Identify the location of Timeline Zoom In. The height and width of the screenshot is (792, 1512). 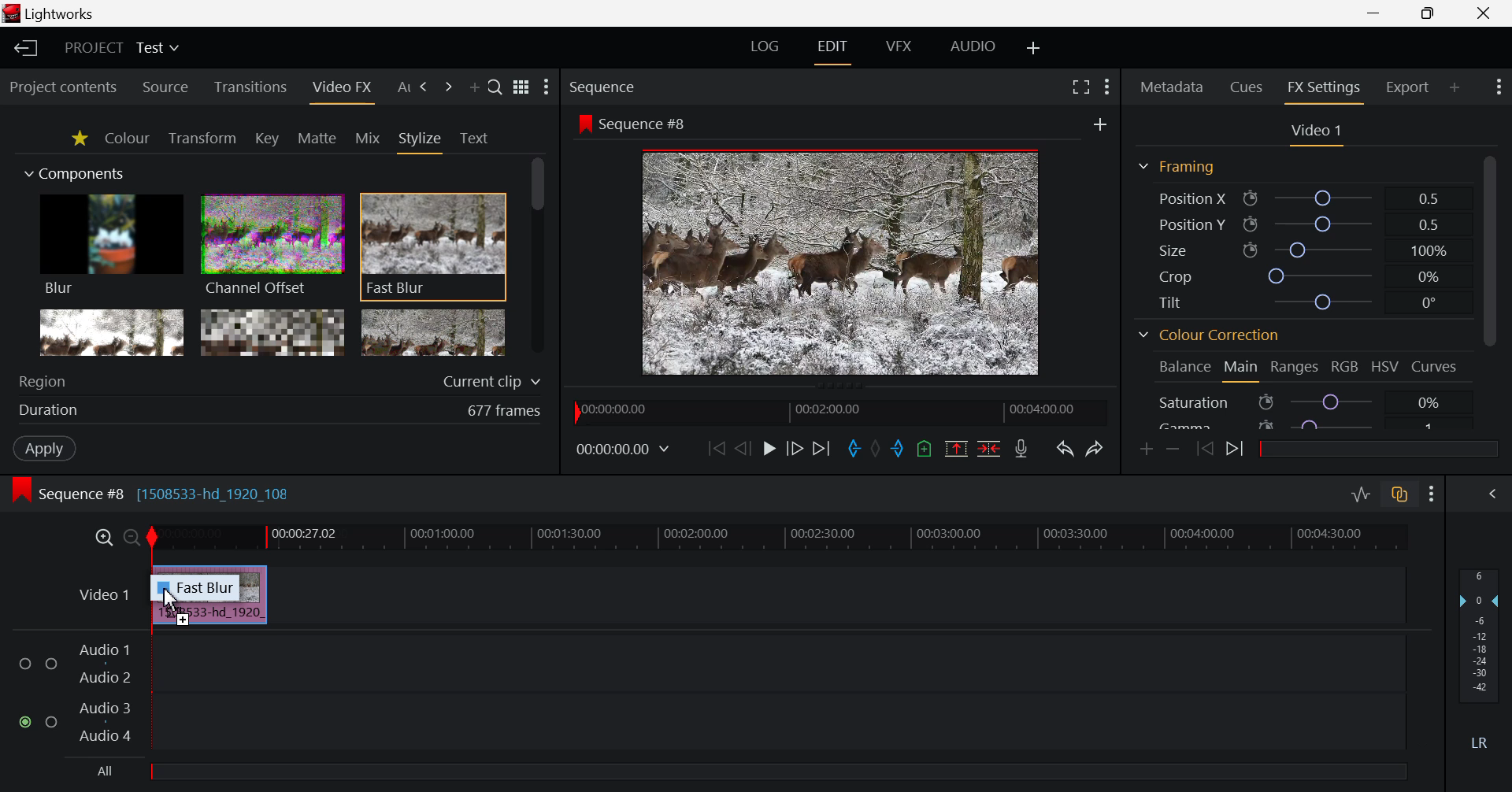
(102, 538).